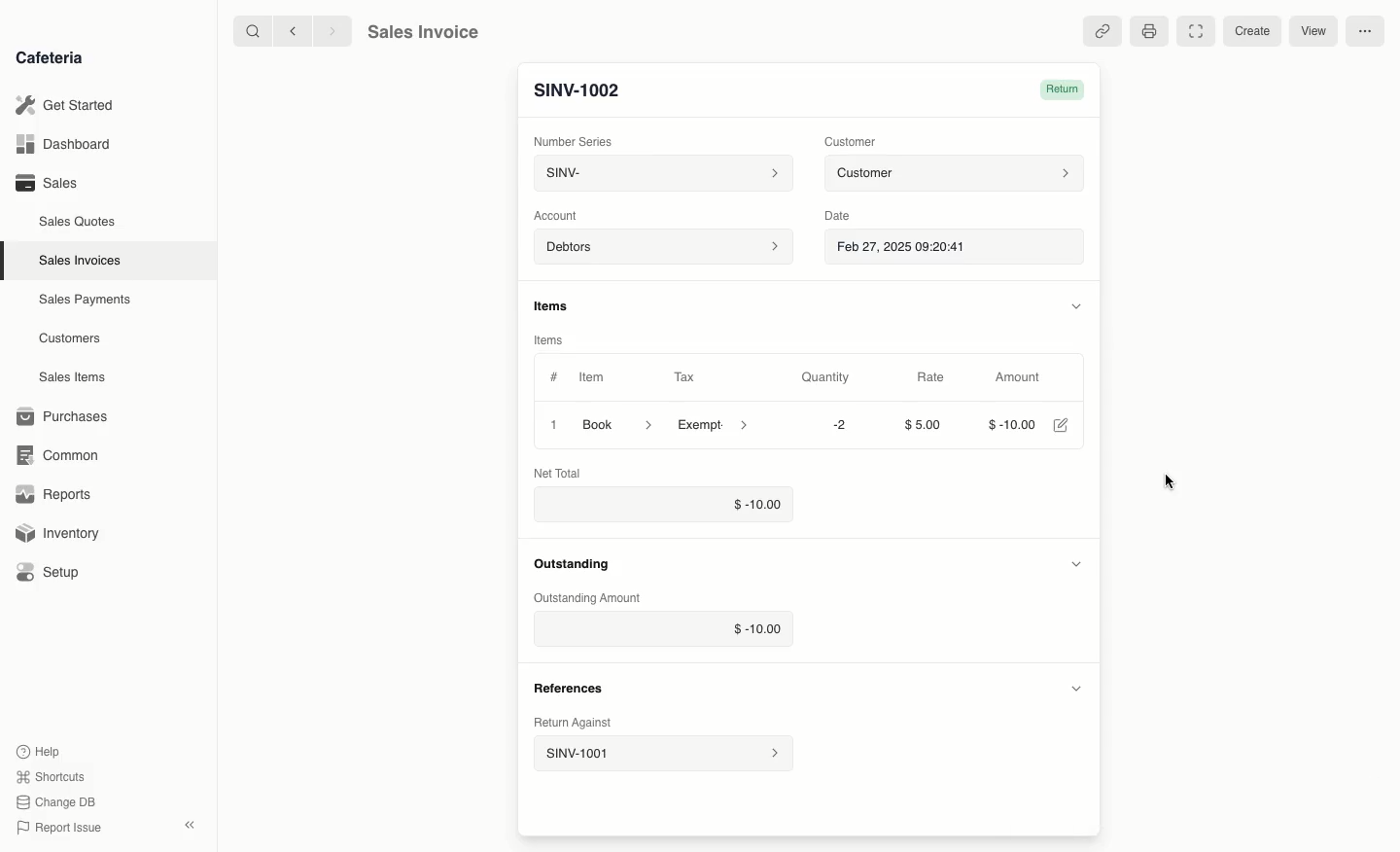 The height and width of the screenshot is (852, 1400). I want to click on Sales Invoice, so click(423, 32).